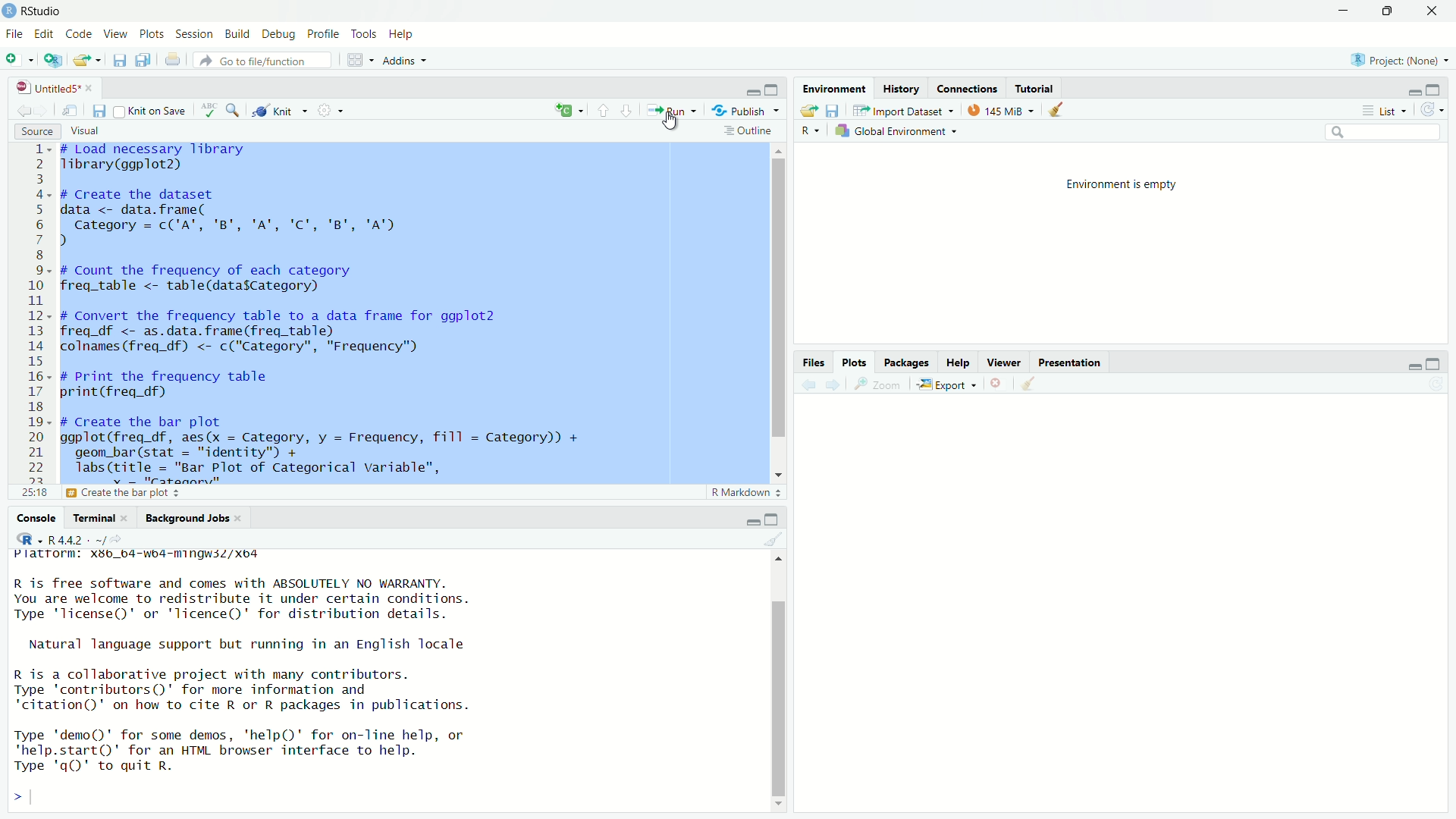  I want to click on Import Dataset, so click(900, 111).